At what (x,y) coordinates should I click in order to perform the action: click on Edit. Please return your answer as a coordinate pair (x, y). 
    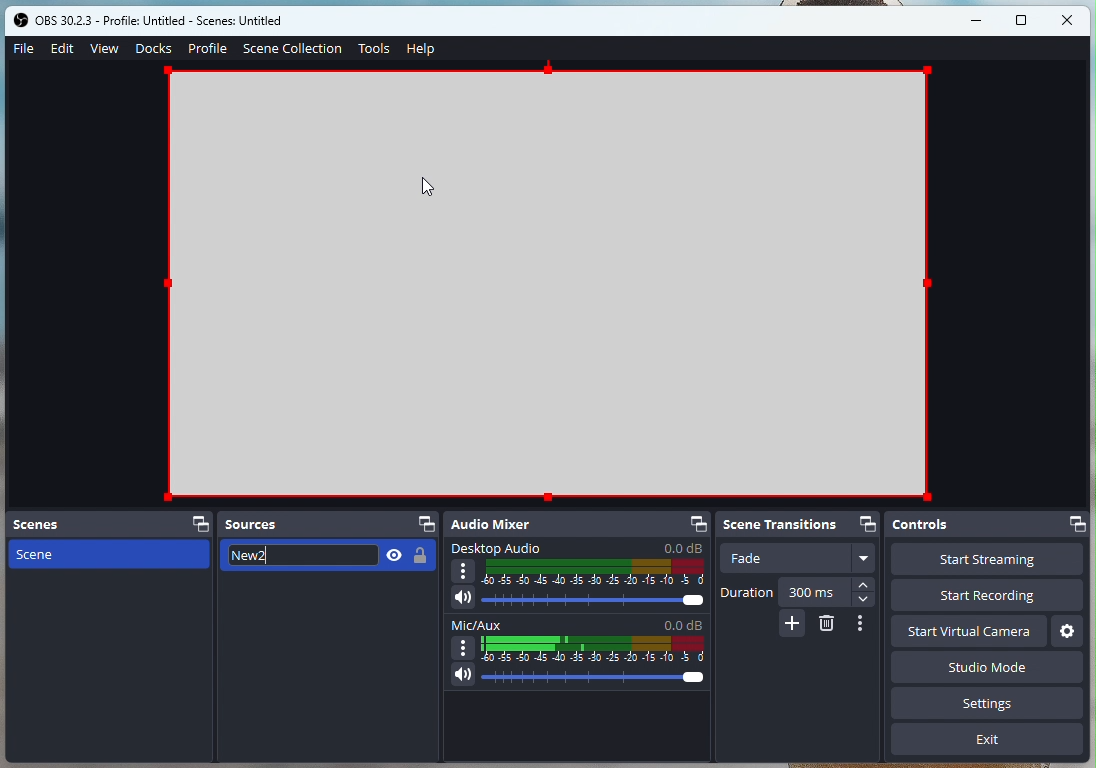
    Looking at the image, I should click on (65, 50).